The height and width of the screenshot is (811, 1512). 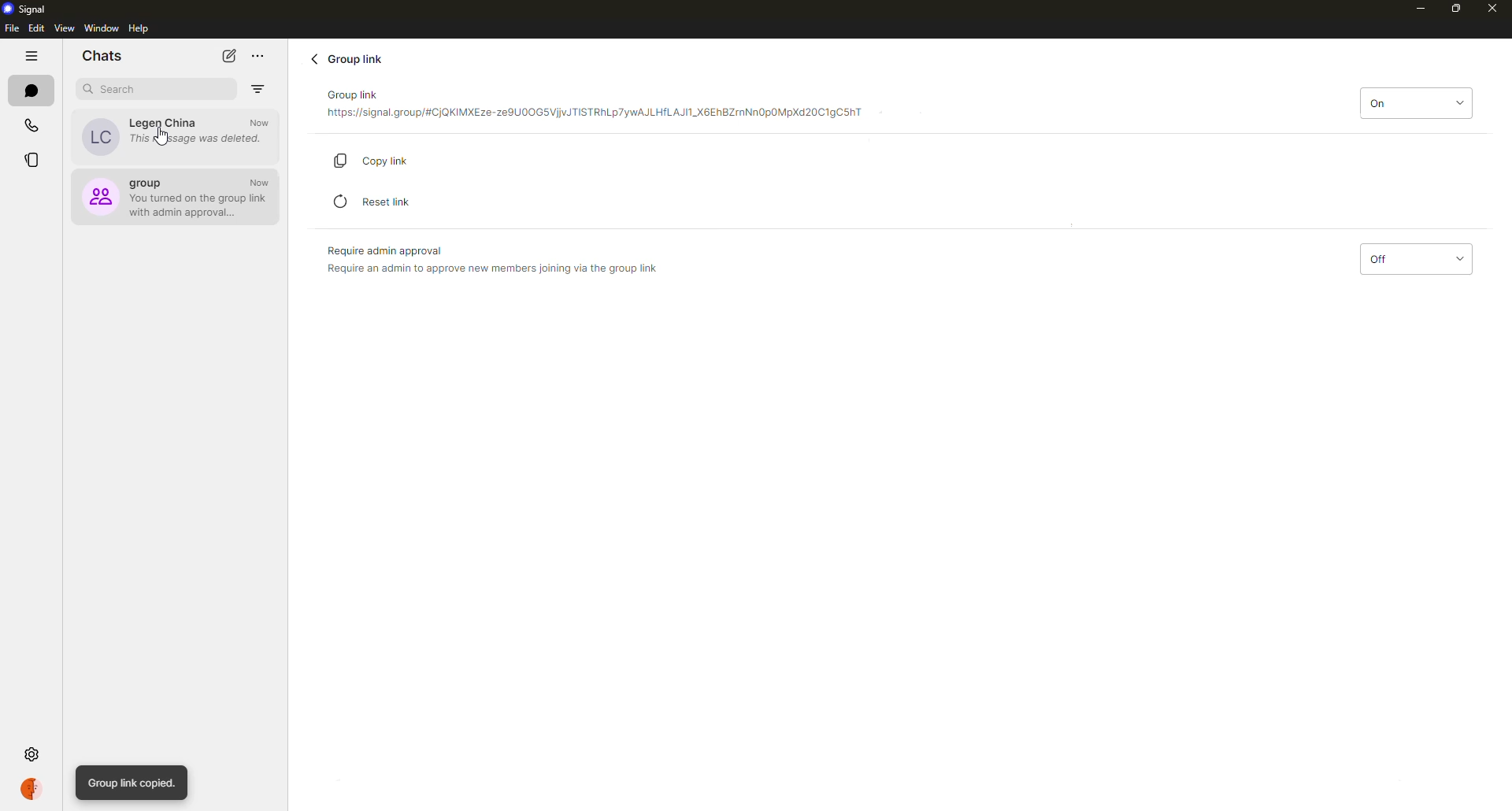 I want to click on chats, so click(x=102, y=54).